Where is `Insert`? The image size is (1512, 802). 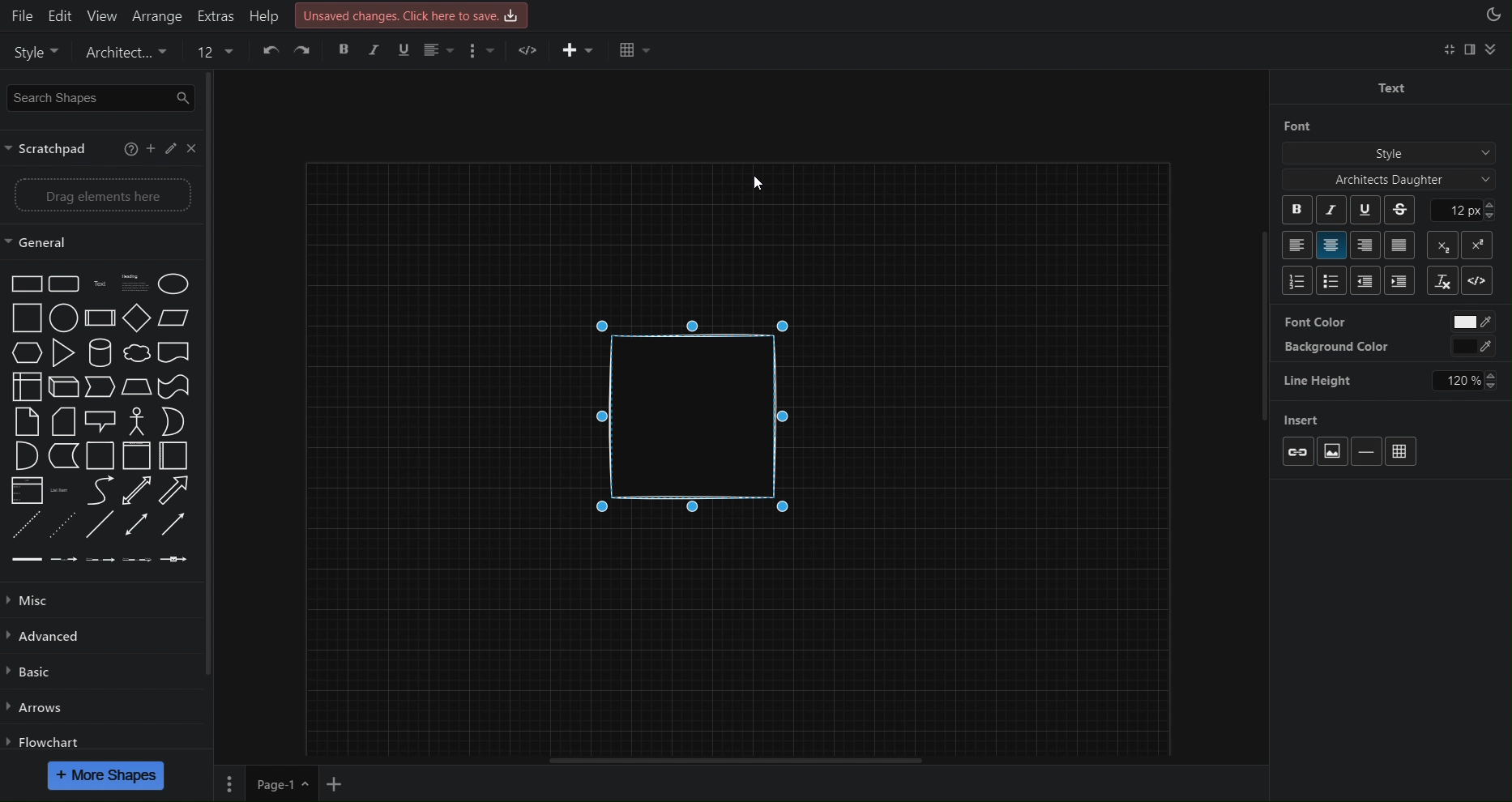
Insert is located at coordinates (628, 52).